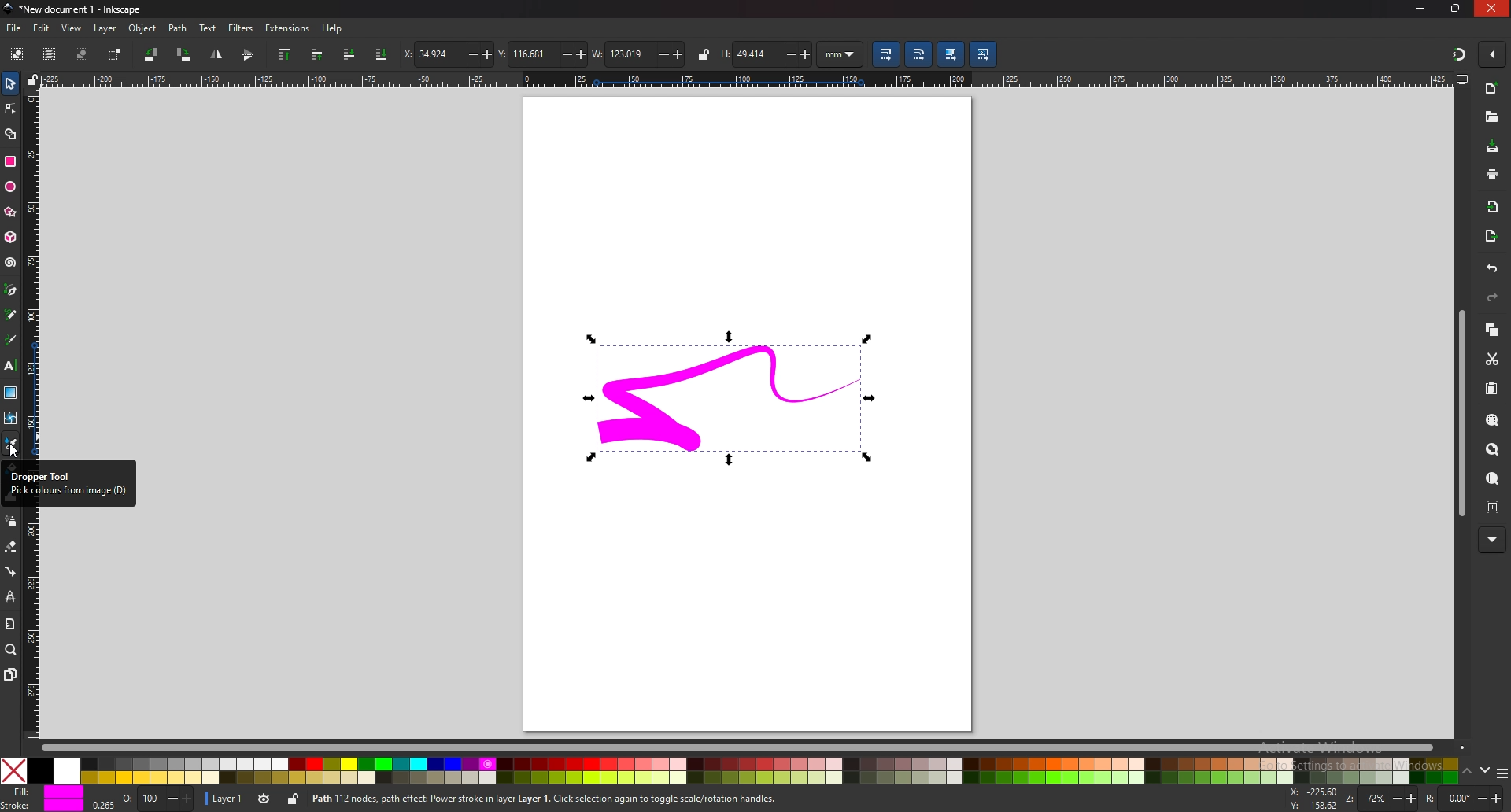 The height and width of the screenshot is (812, 1511). What do you see at coordinates (10, 212) in the screenshot?
I see `stars and polygons` at bounding box center [10, 212].